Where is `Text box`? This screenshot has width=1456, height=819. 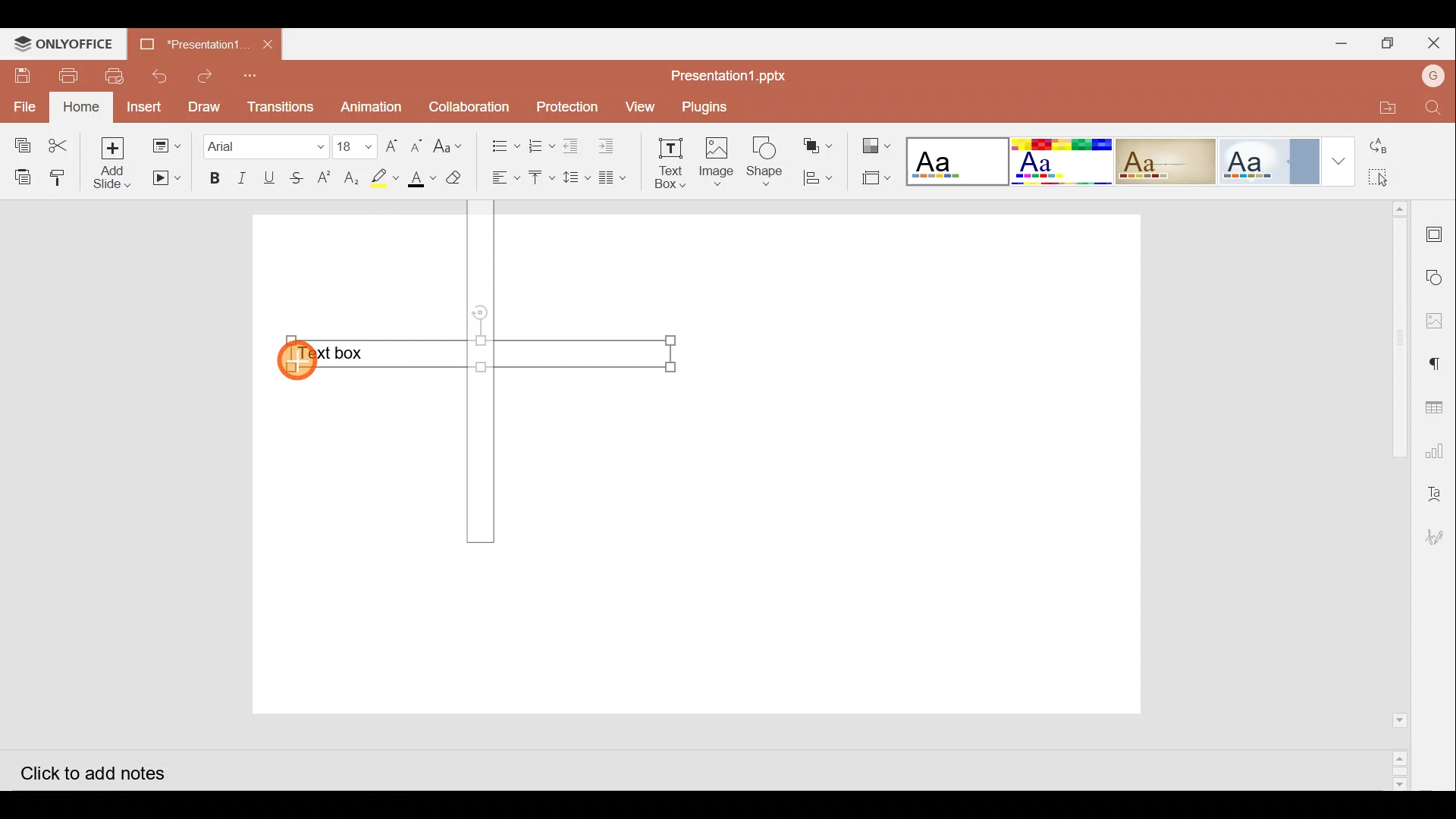
Text box is located at coordinates (479, 358).